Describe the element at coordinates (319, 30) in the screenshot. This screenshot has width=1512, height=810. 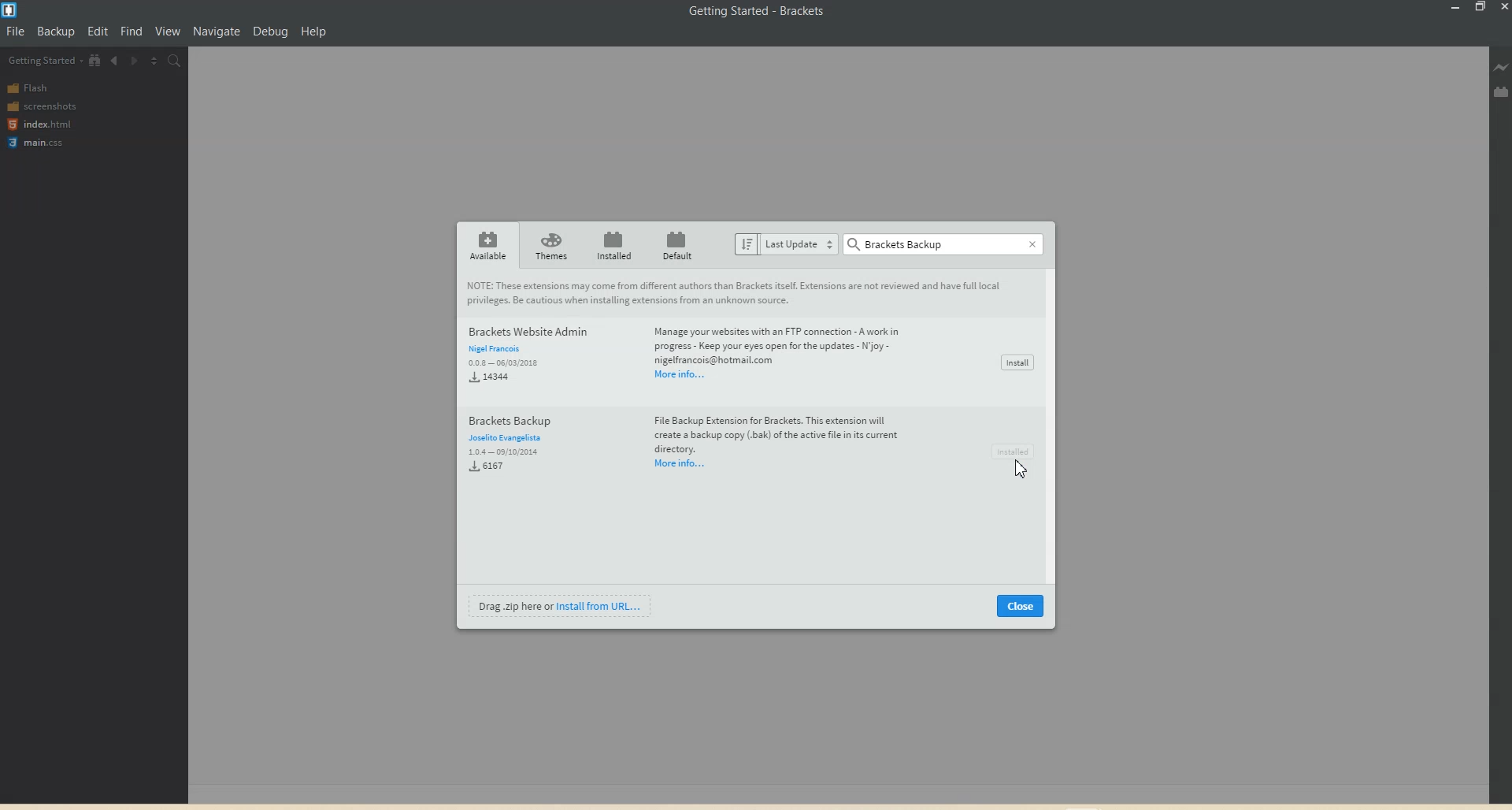
I see `Help` at that location.